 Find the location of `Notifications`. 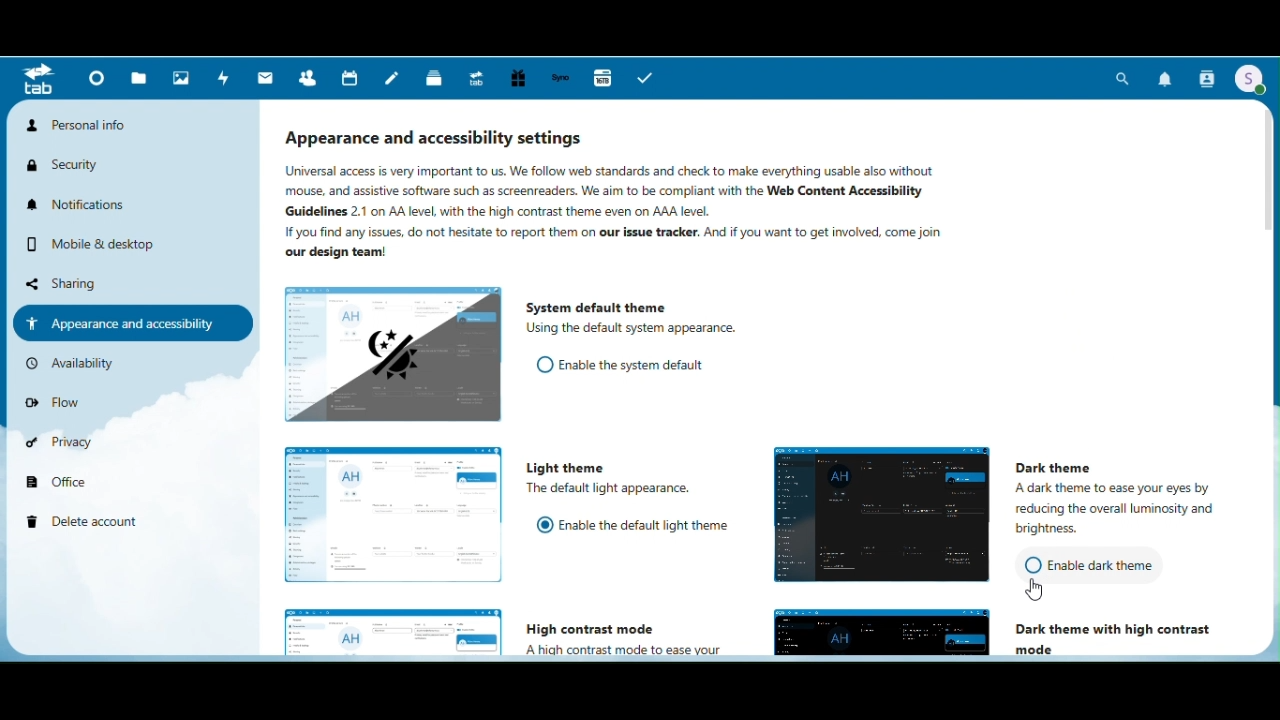

Notifications is located at coordinates (85, 203).